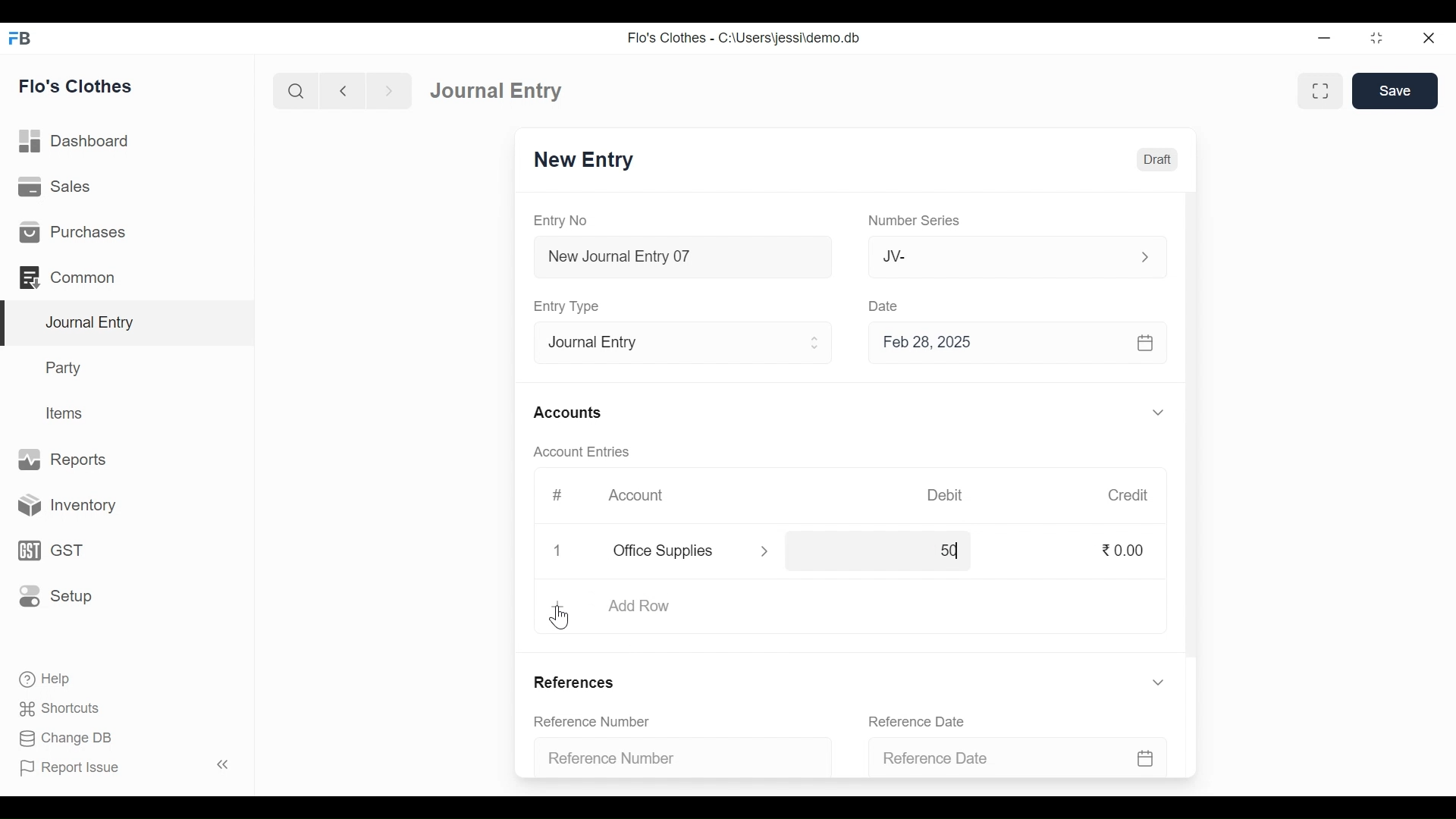 This screenshot has height=819, width=1456. What do you see at coordinates (1012, 758) in the screenshot?
I see `Reference Date` at bounding box center [1012, 758].